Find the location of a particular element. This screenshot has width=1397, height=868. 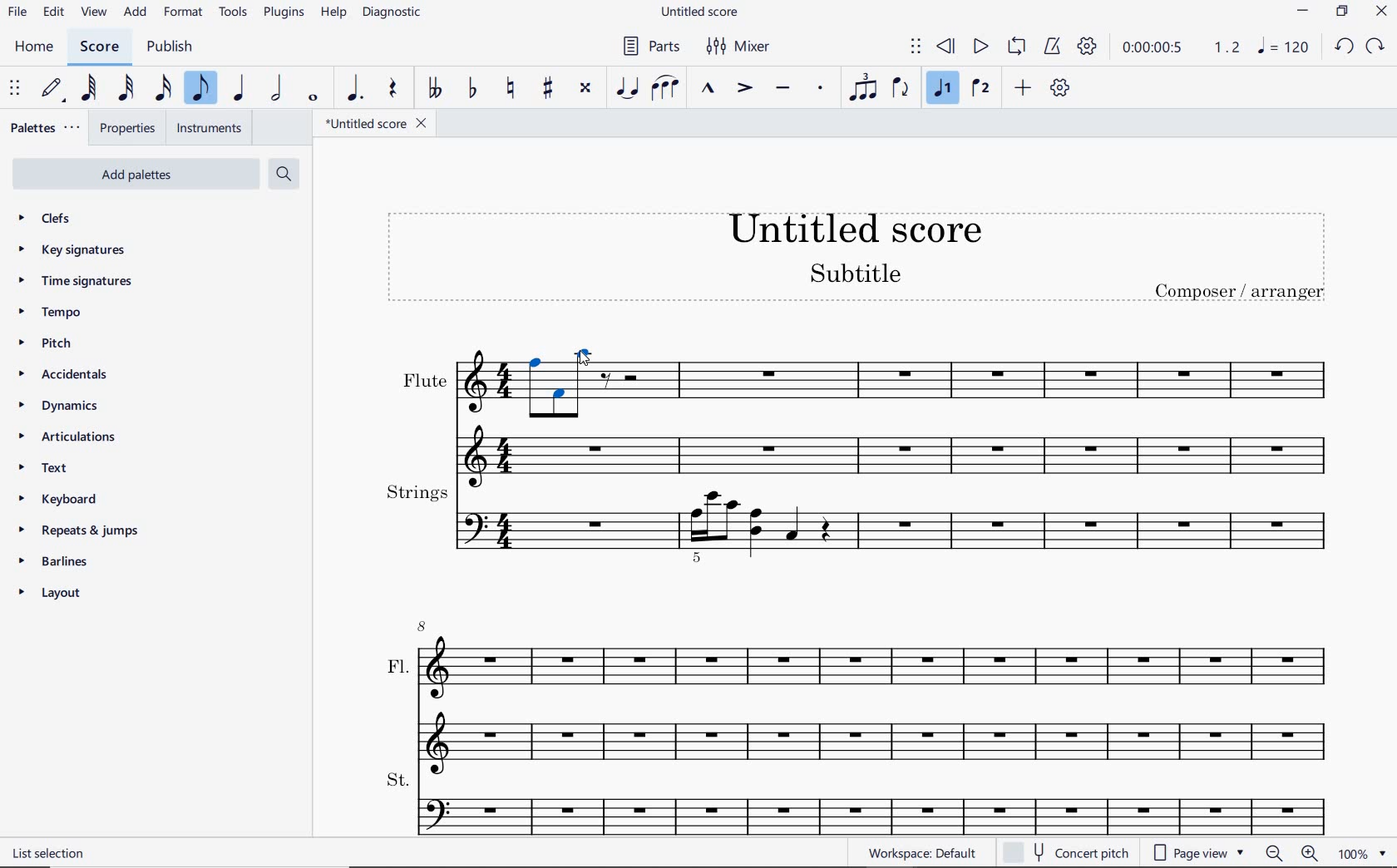

zoom factor is located at coordinates (1364, 853).